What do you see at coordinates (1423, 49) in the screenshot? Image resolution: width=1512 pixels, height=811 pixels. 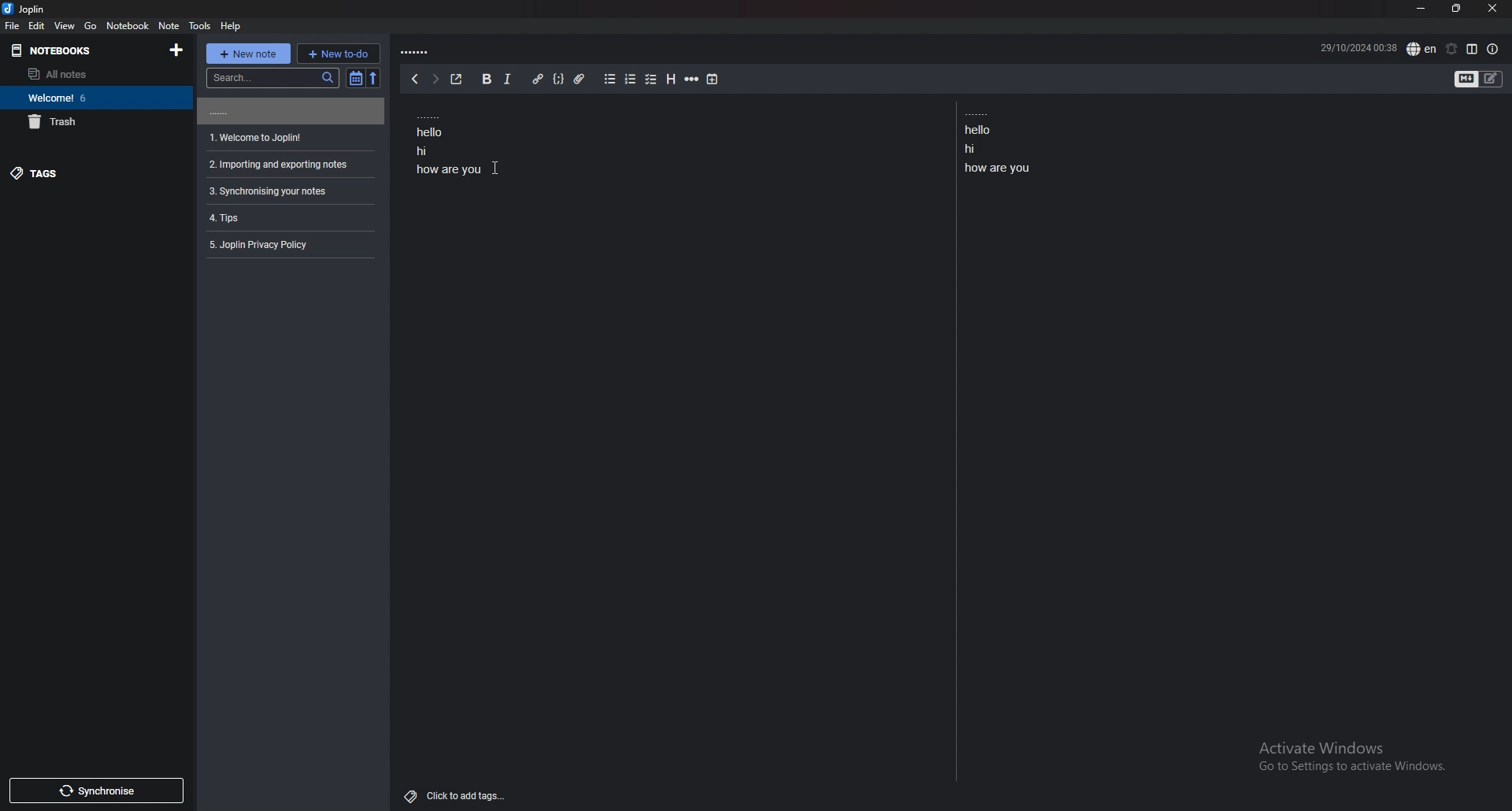 I see `spell check` at bounding box center [1423, 49].